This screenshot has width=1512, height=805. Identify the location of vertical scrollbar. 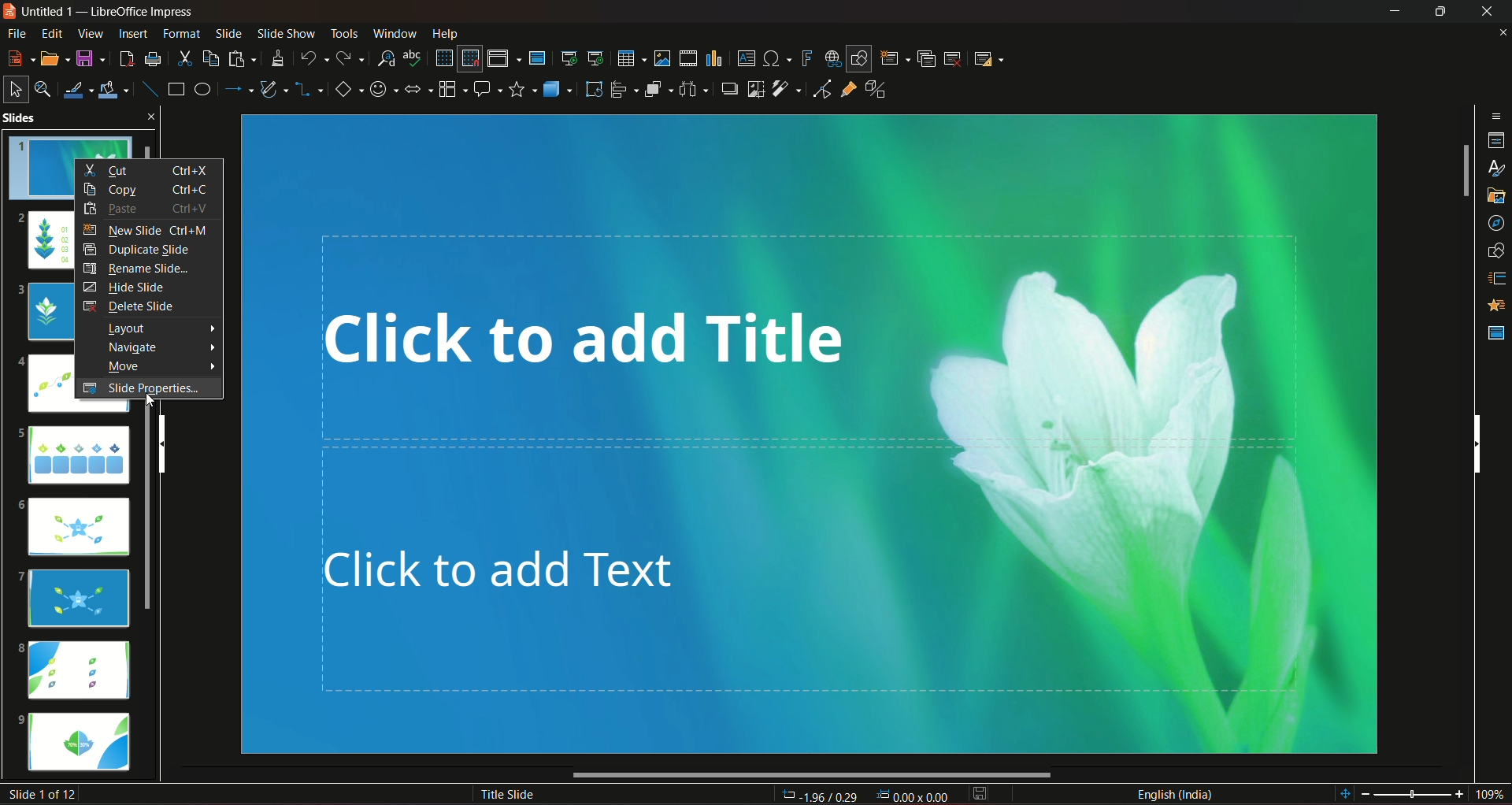
(1477, 442).